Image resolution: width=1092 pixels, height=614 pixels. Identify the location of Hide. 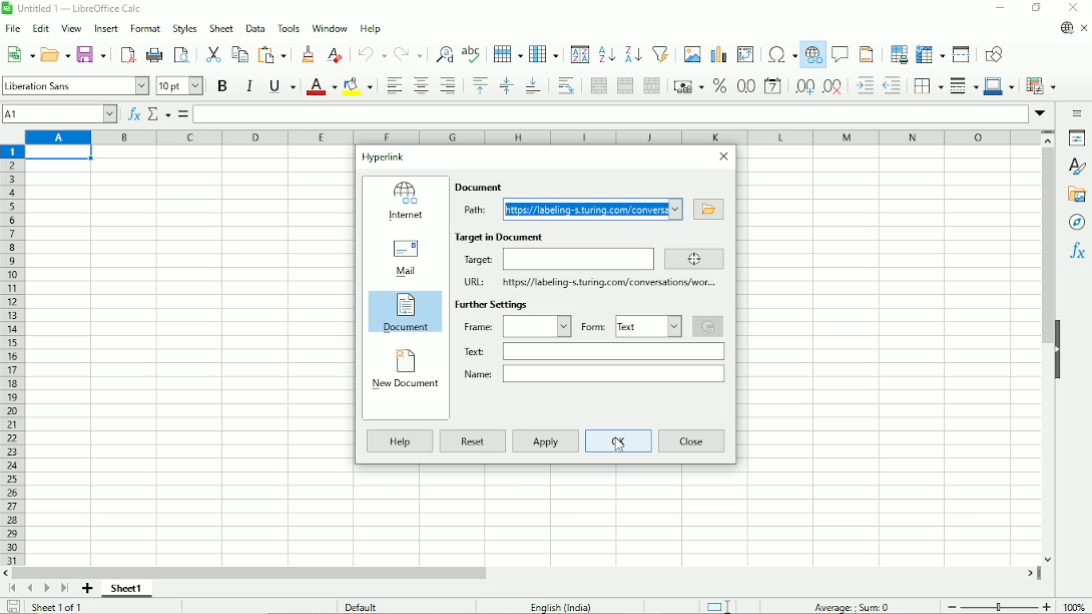
(1061, 347).